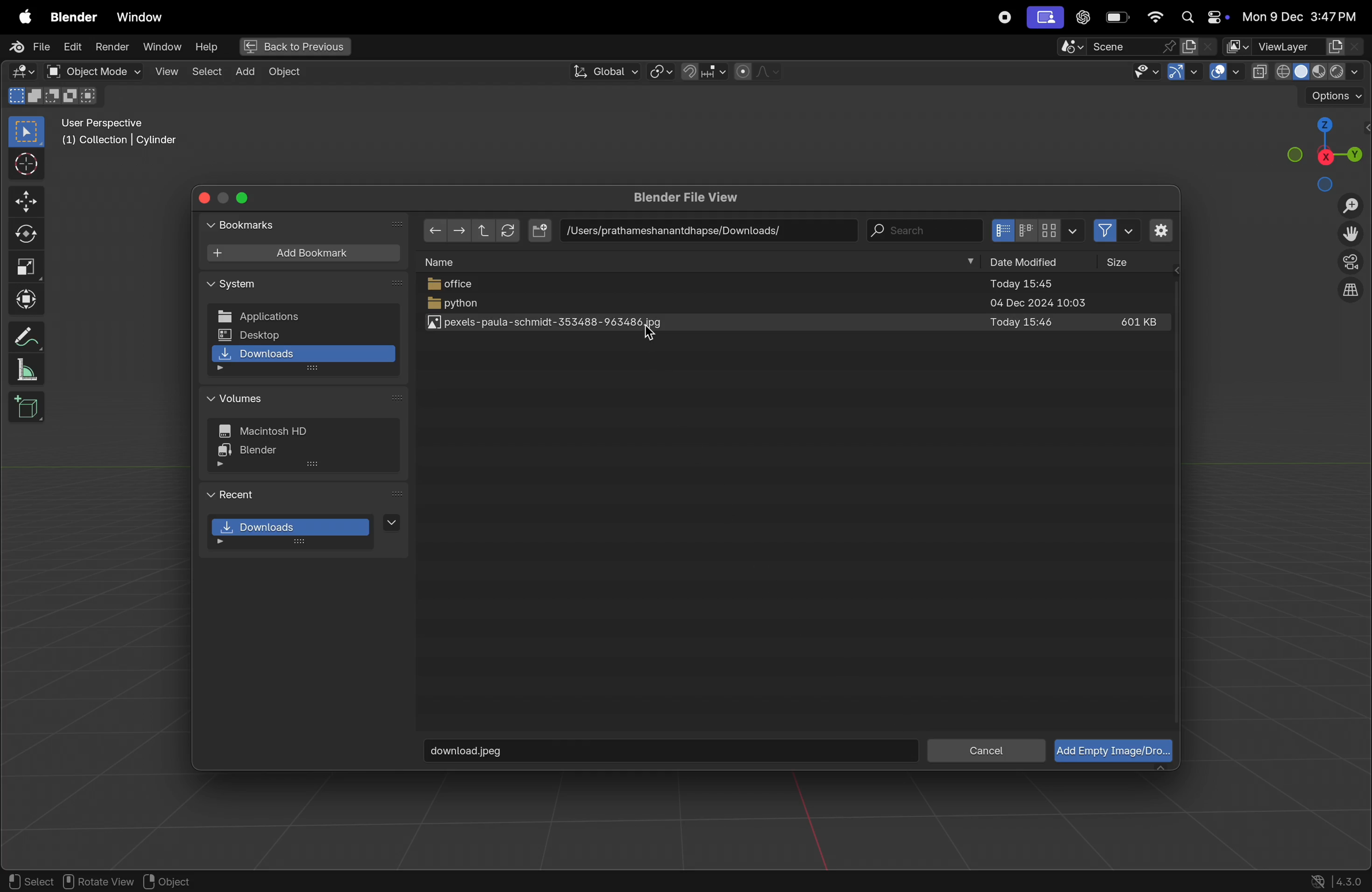  I want to click on recent, so click(235, 493).